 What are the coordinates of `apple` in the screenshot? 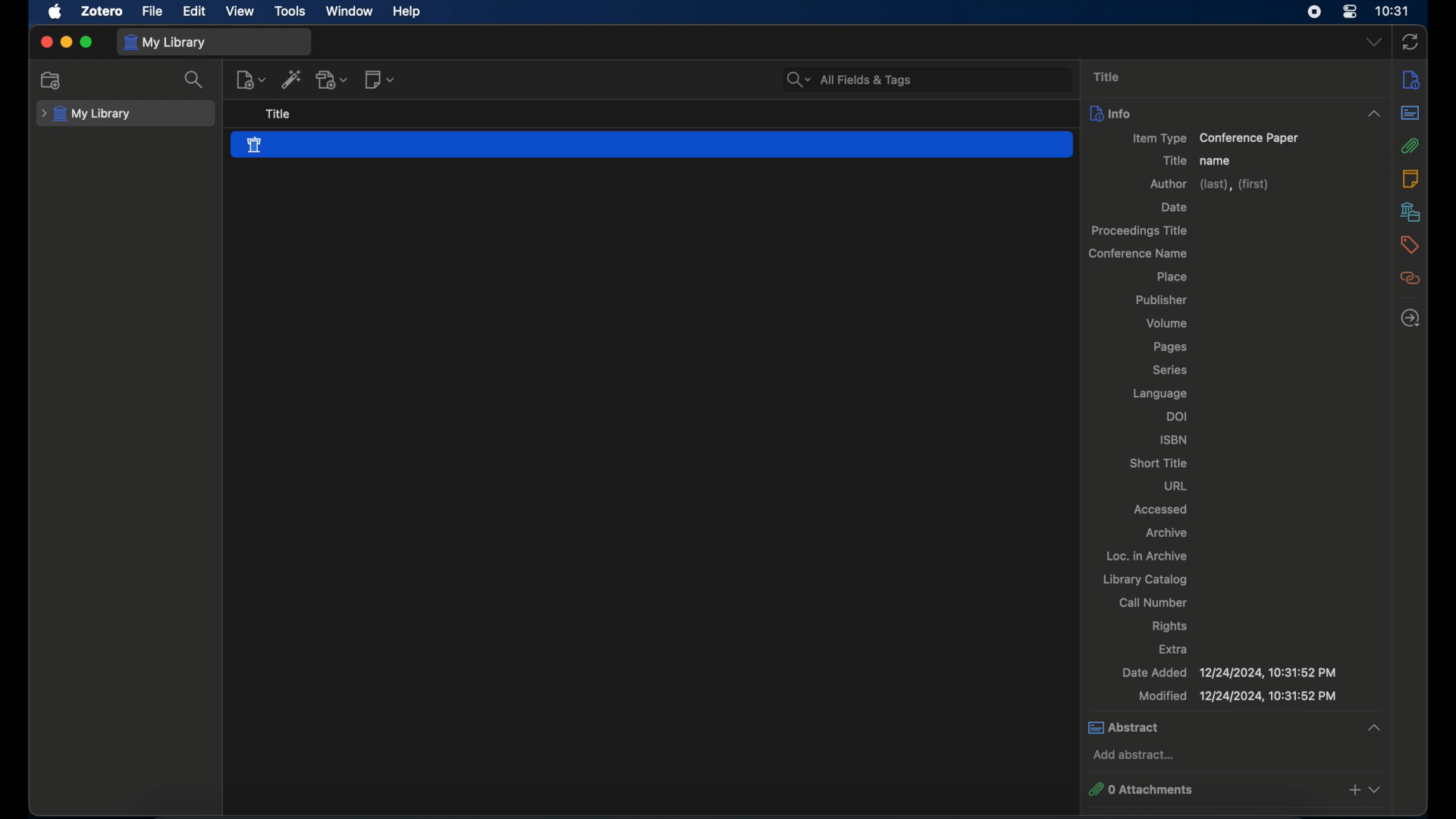 It's located at (56, 11).